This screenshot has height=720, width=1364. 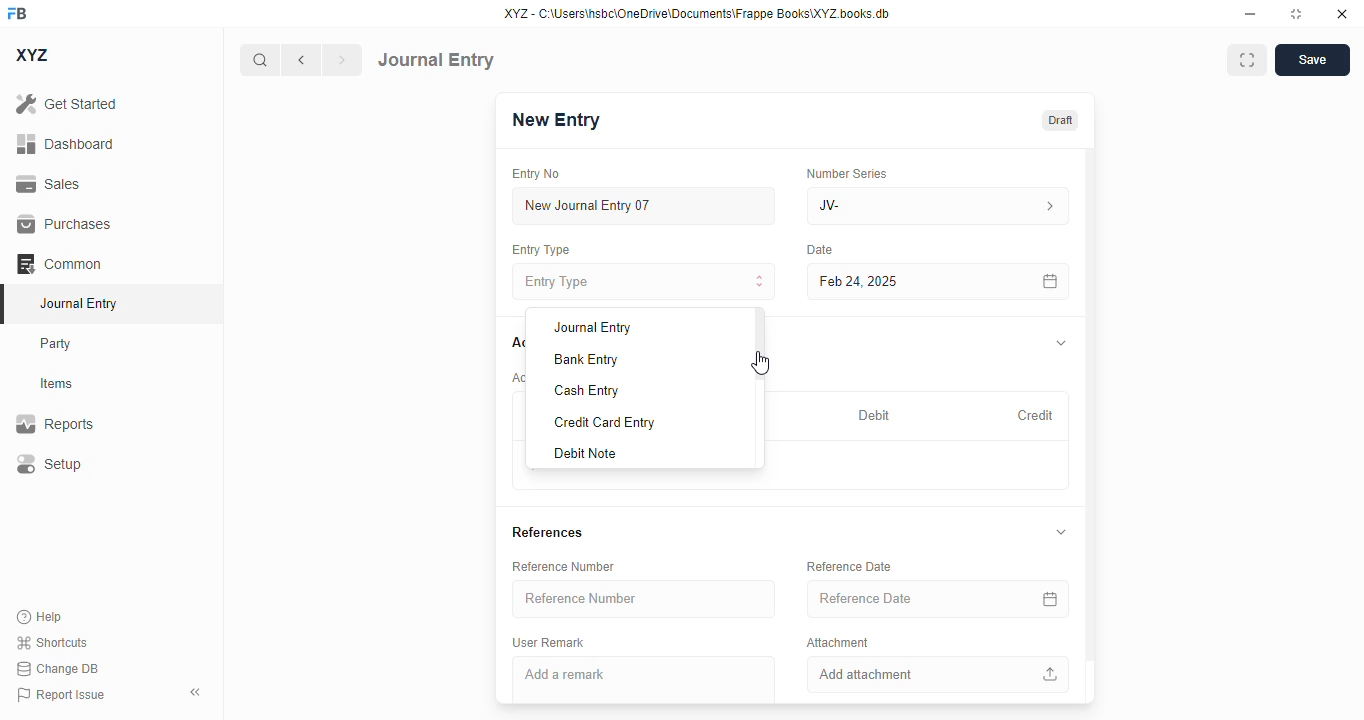 What do you see at coordinates (67, 104) in the screenshot?
I see `get started` at bounding box center [67, 104].